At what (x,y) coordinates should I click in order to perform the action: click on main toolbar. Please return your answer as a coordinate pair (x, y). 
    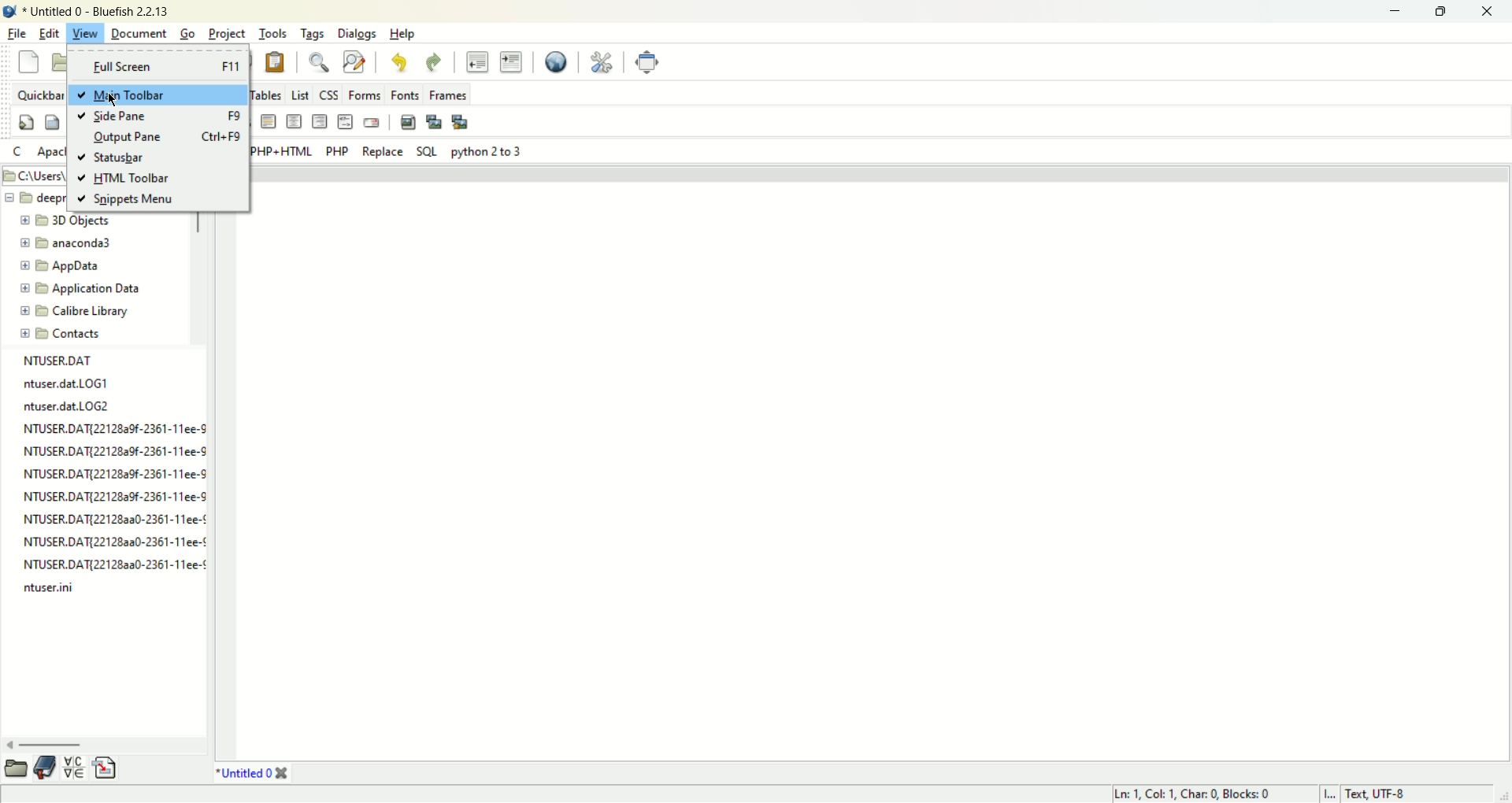
    Looking at the image, I should click on (158, 95).